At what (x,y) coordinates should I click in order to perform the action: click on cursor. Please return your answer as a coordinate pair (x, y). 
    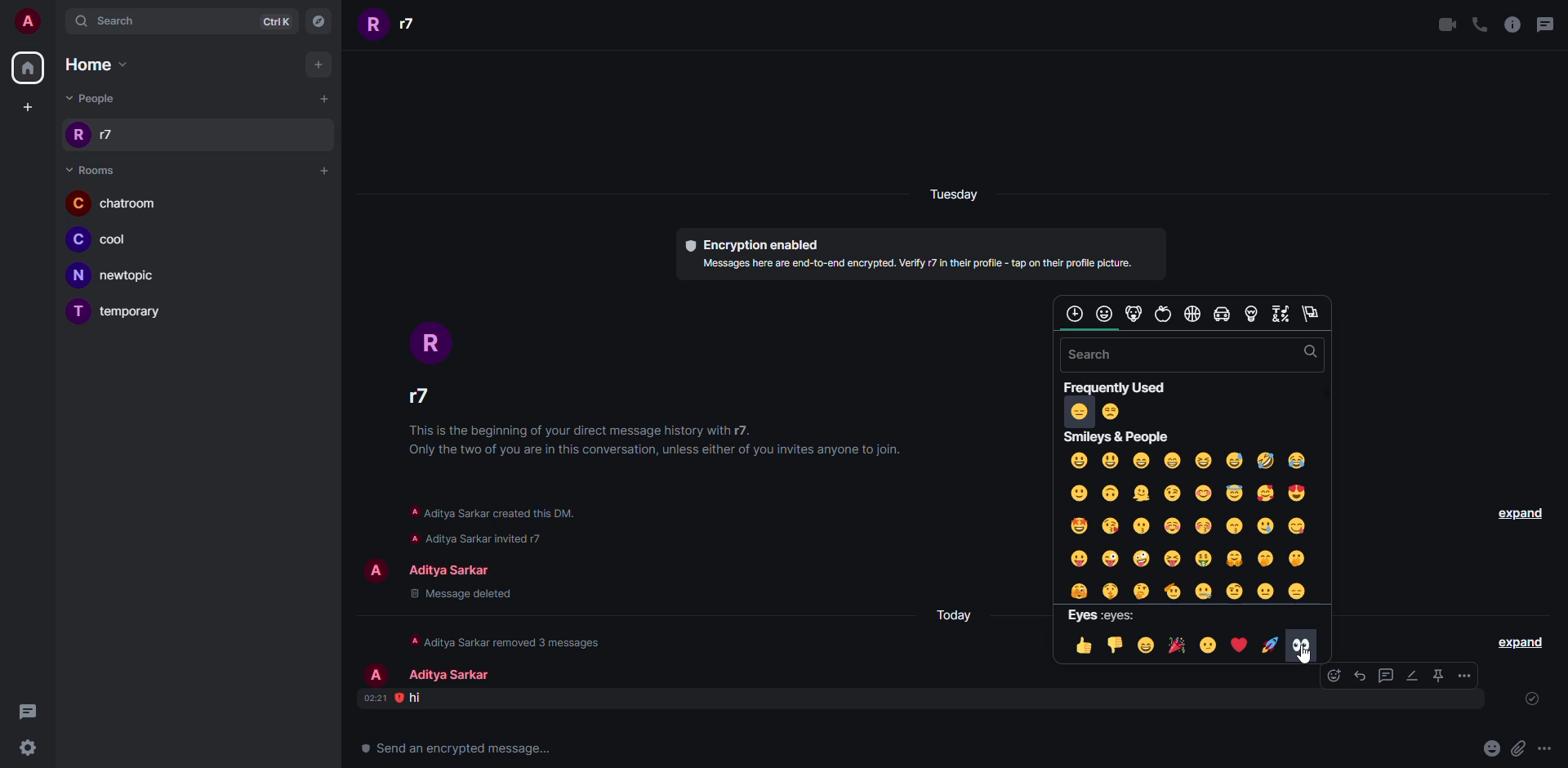
    Looking at the image, I should click on (1307, 655).